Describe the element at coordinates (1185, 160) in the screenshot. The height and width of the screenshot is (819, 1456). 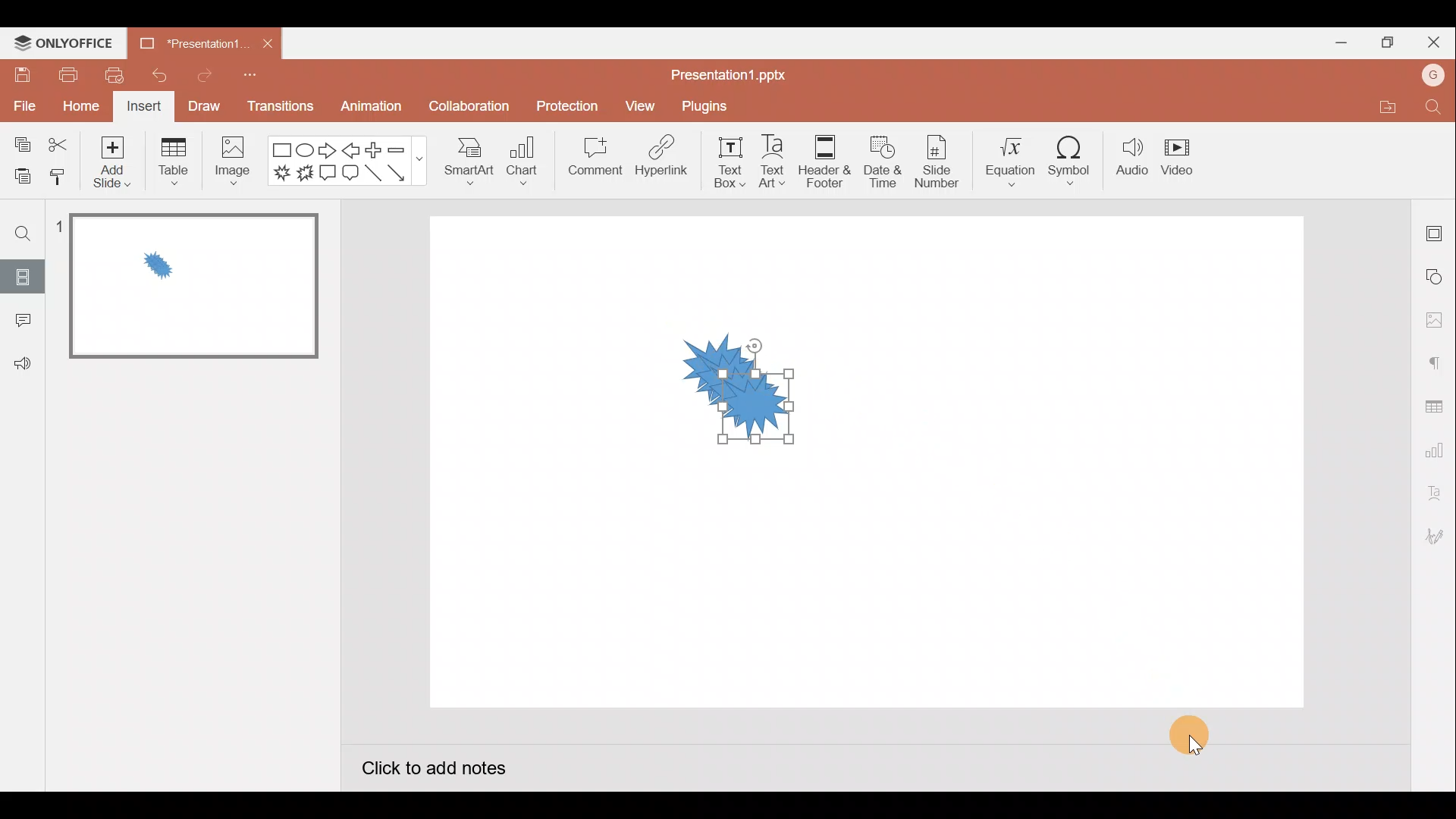
I see `Video` at that location.